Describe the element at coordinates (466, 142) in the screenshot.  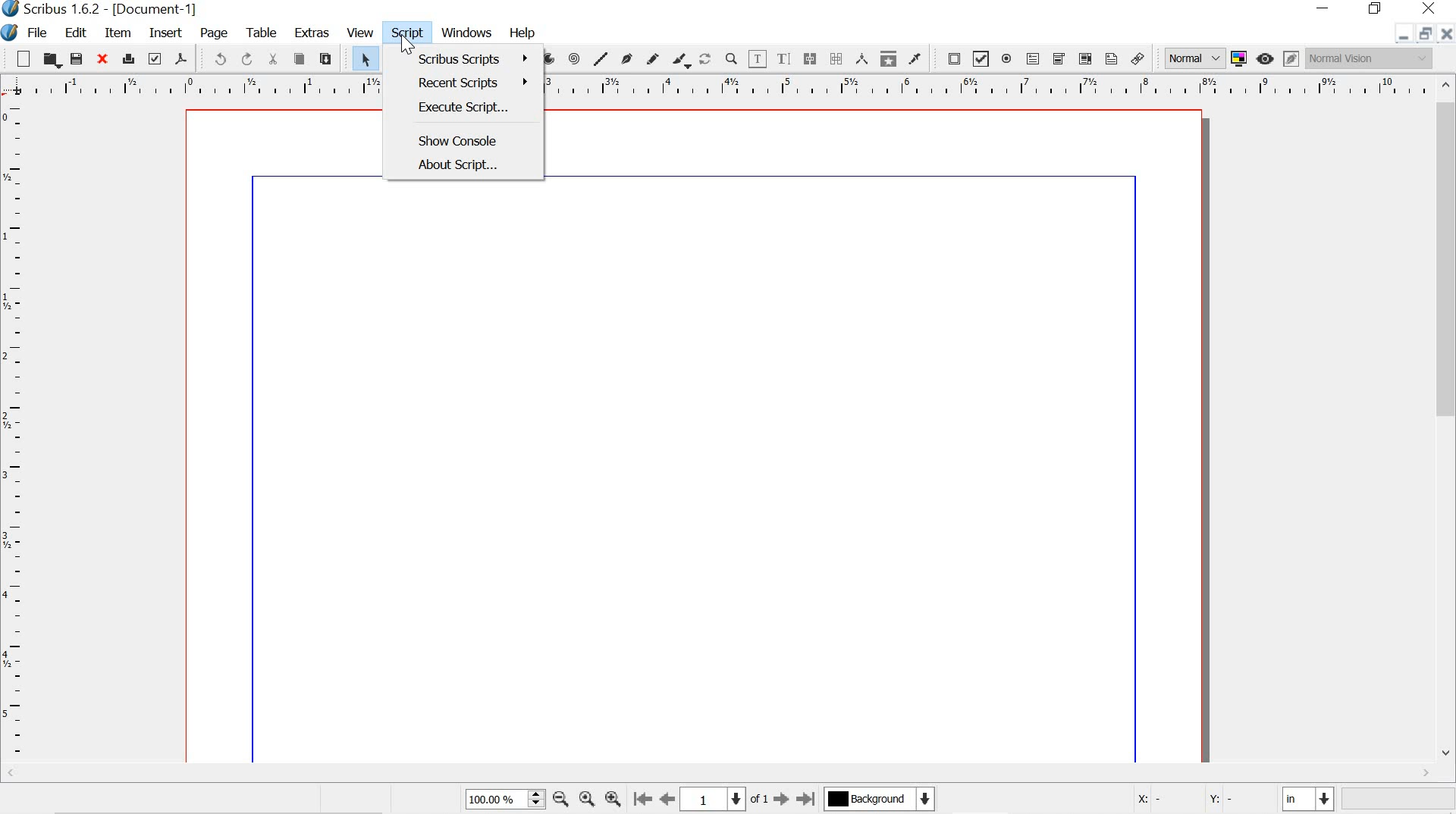
I see `show console` at that location.